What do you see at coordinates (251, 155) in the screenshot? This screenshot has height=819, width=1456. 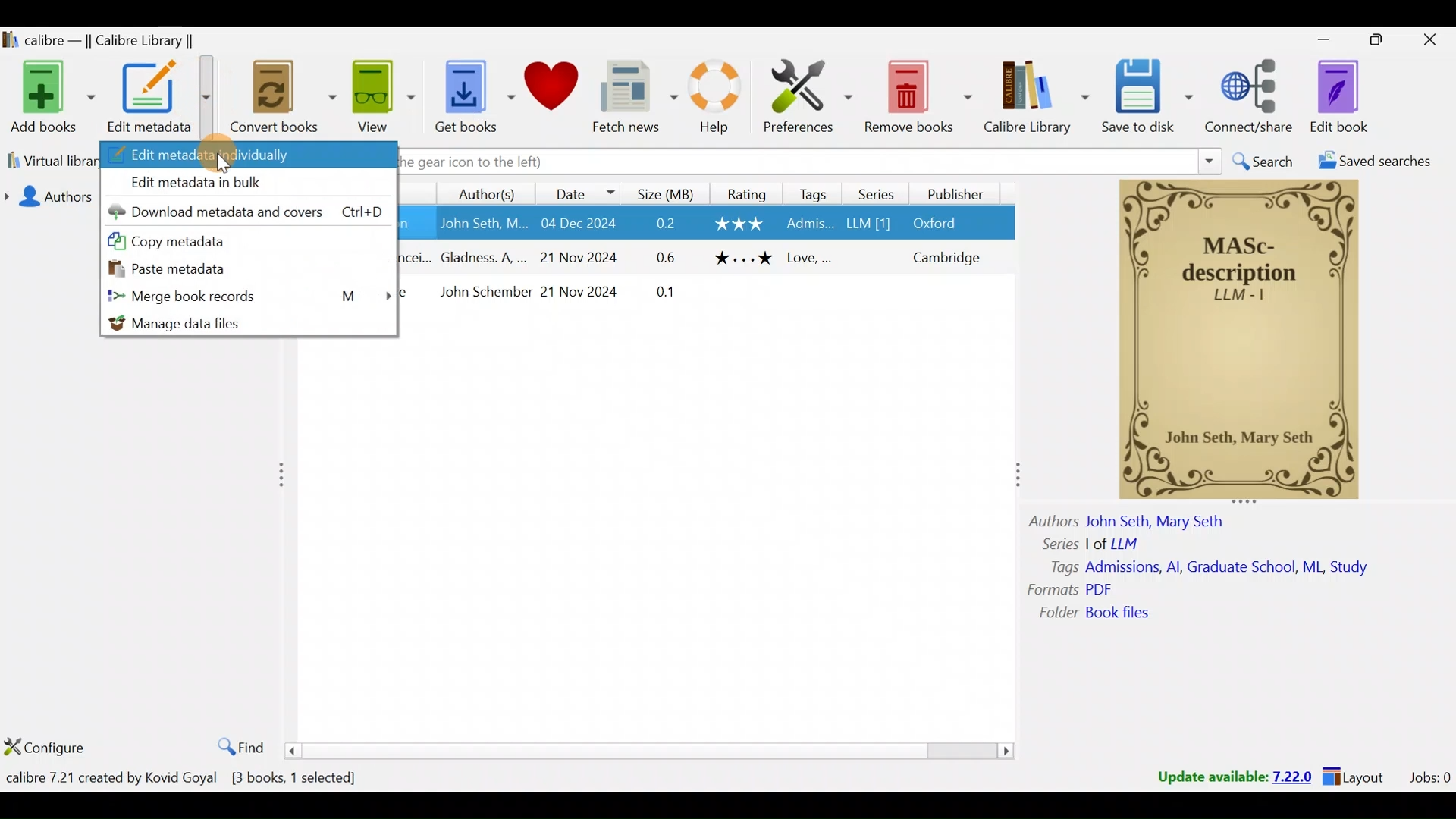 I see `Edit metadata individually` at bounding box center [251, 155].